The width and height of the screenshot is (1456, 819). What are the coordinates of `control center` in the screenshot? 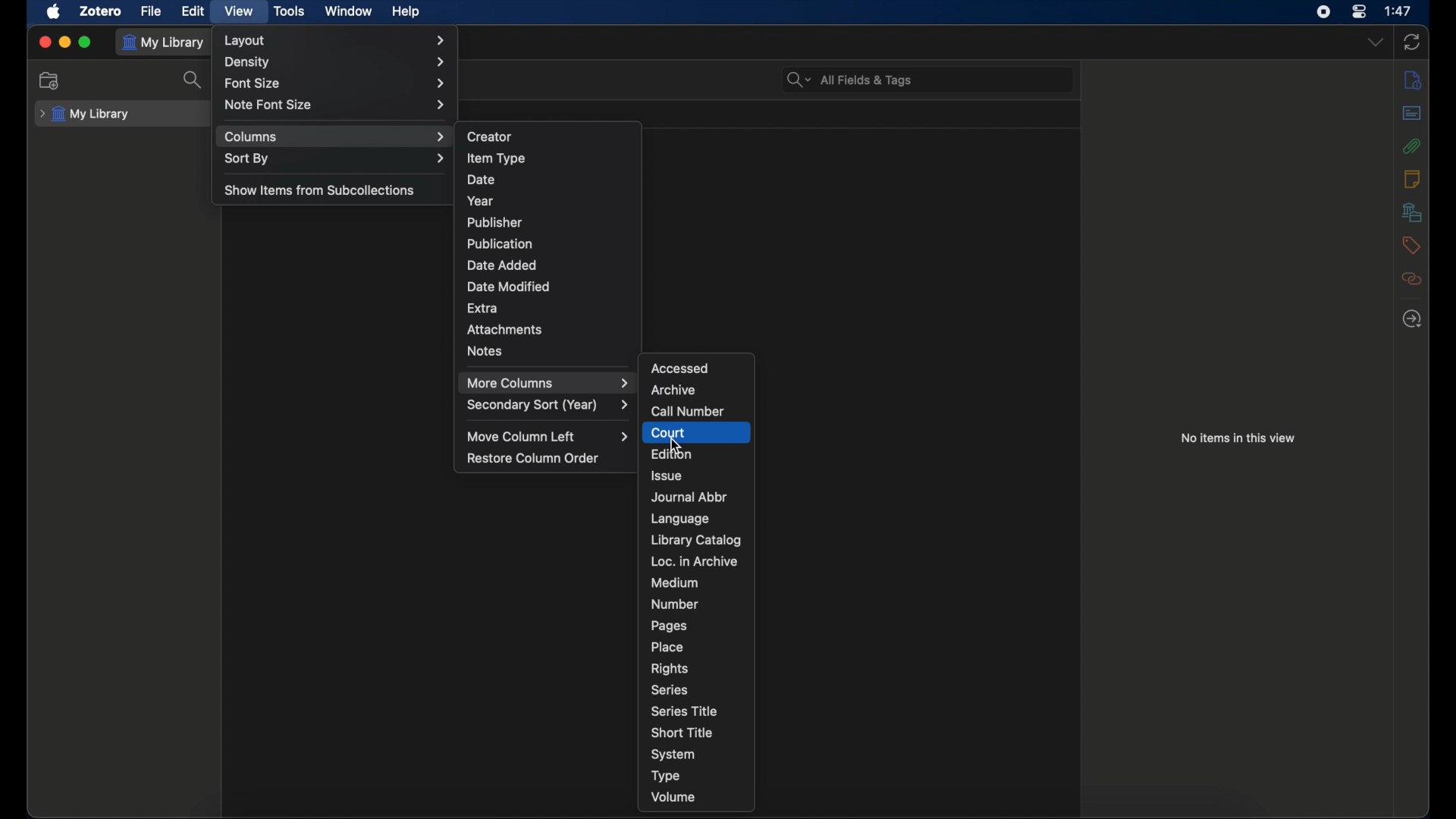 It's located at (1359, 11).